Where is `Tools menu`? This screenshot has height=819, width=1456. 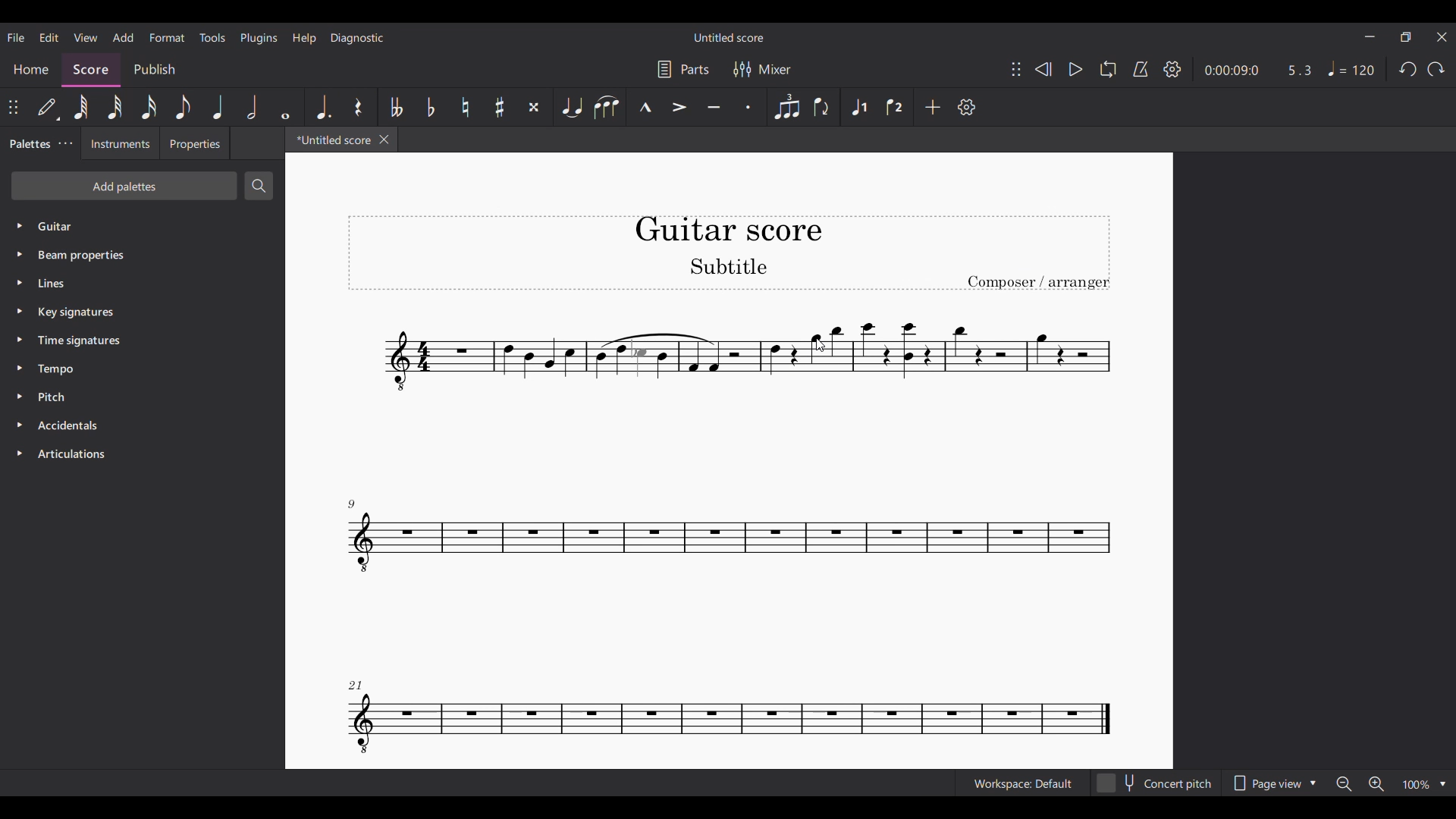 Tools menu is located at coordinates (212, 37).